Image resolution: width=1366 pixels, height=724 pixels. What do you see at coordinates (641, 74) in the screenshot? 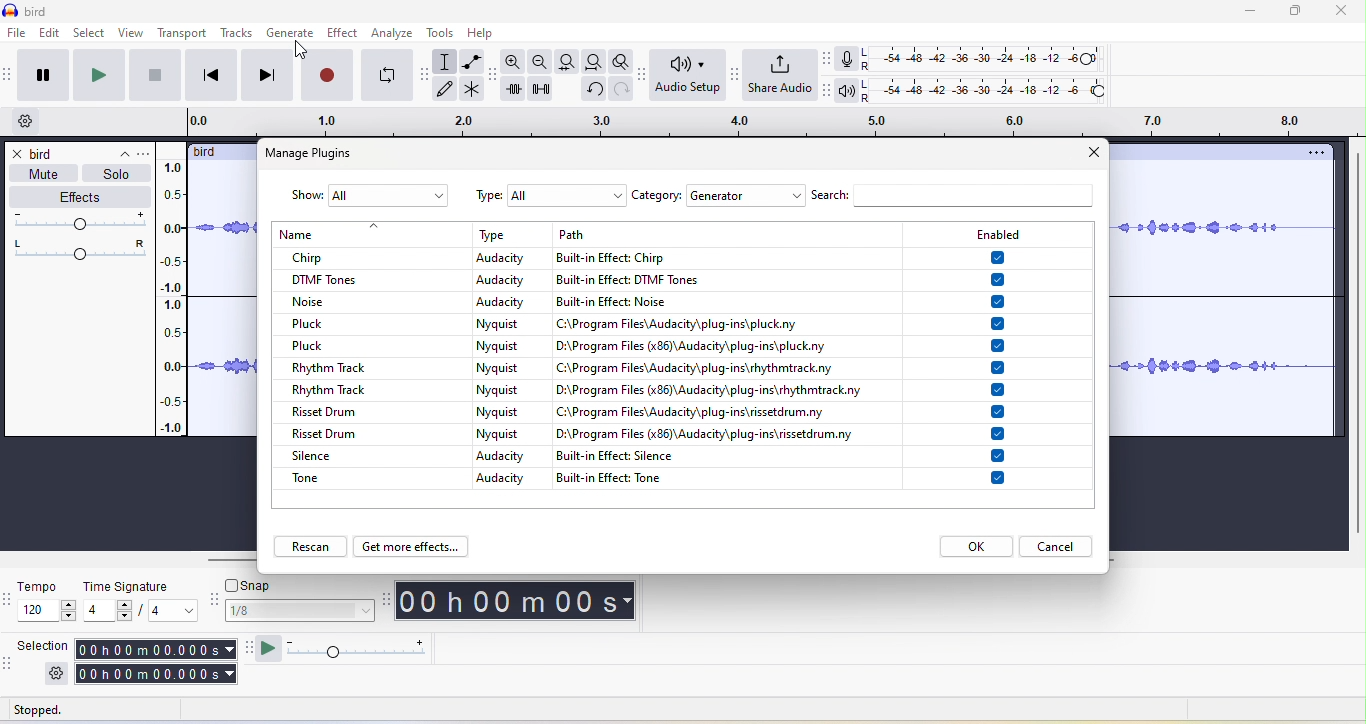
I see `audacity audio setup toolbar` at bounding box center [641, 74].